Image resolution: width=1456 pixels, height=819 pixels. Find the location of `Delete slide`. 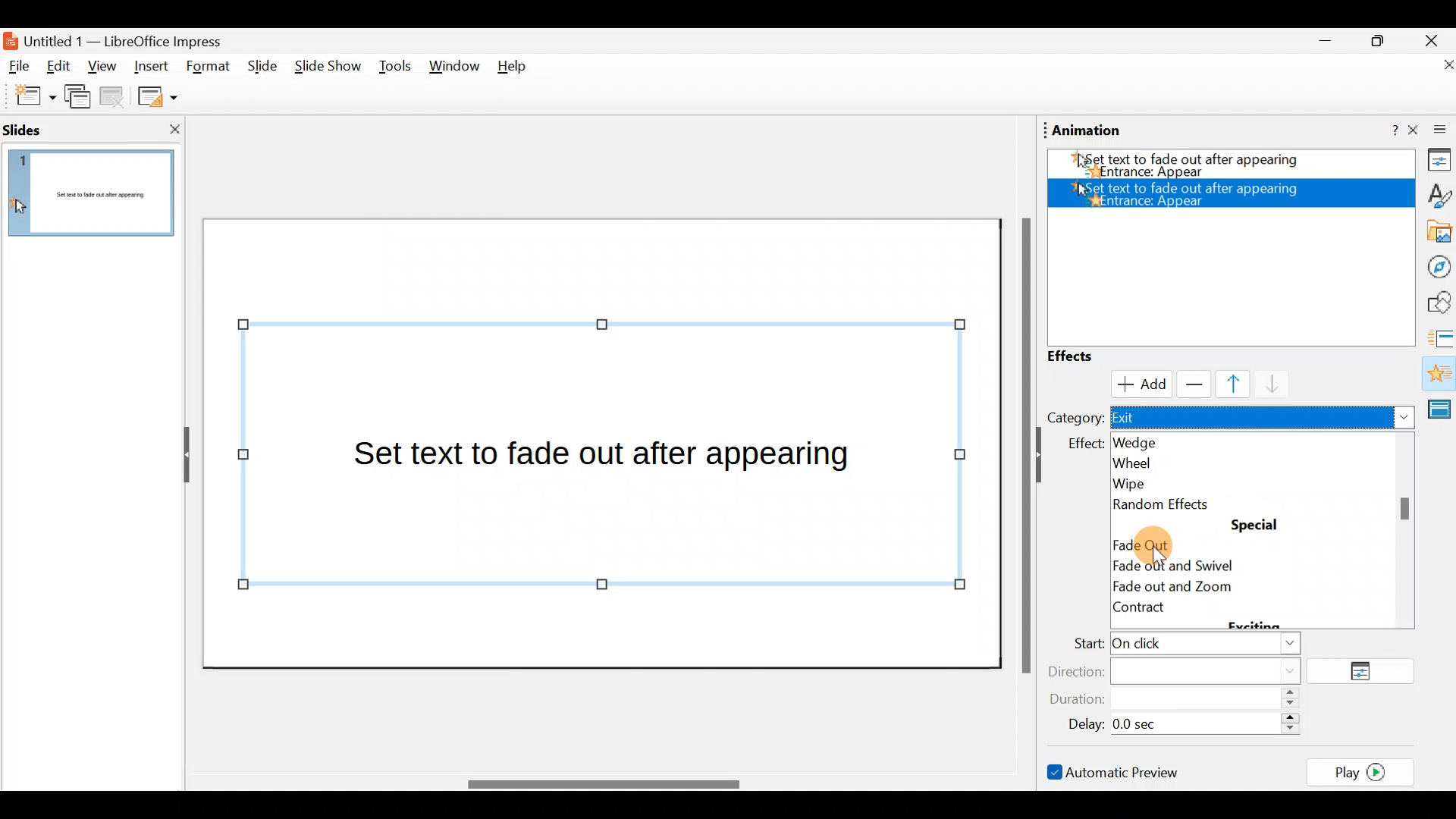

Delete slide is located at coordinates (115, 99).